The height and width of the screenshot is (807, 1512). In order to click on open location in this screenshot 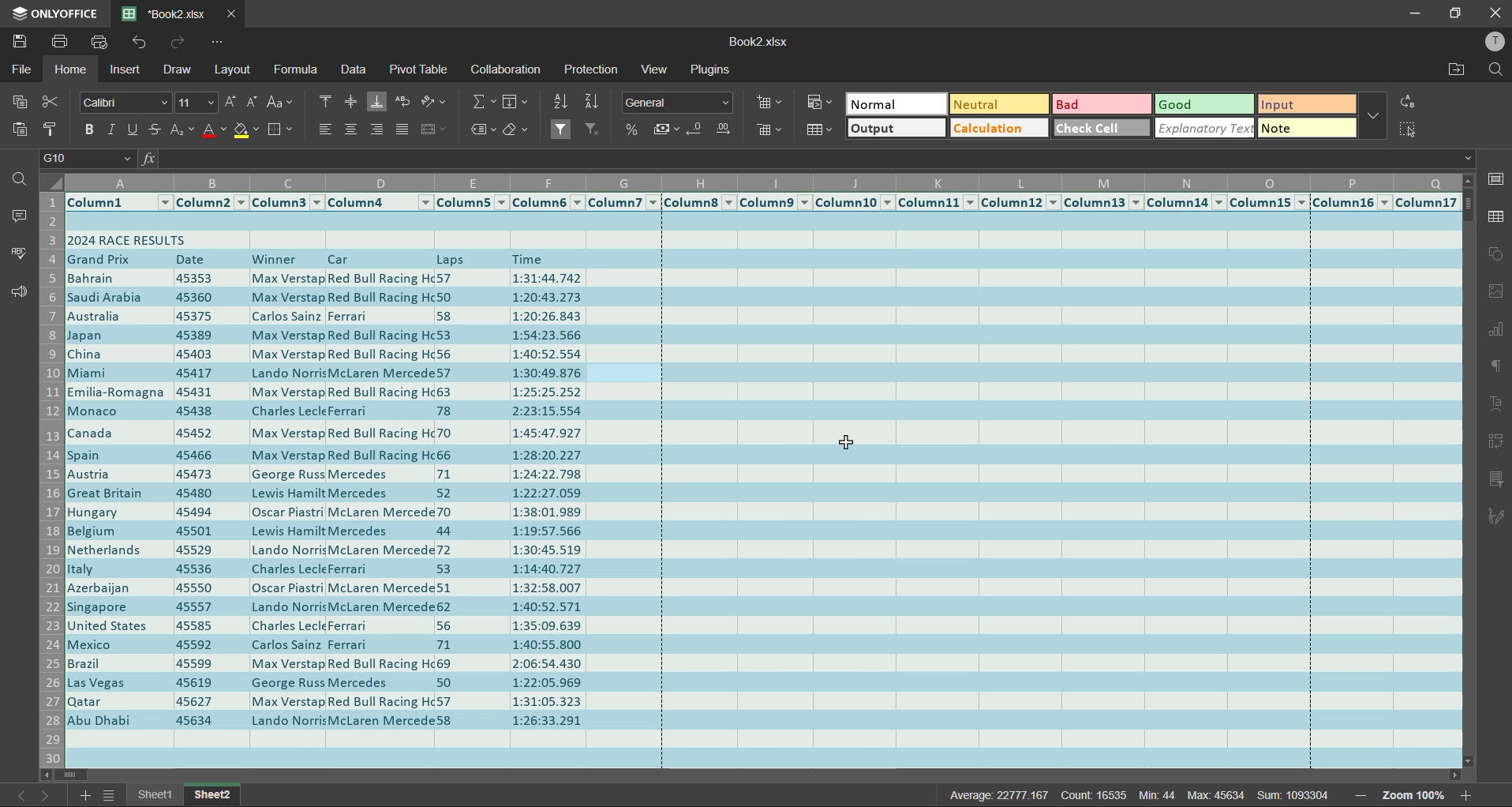, I will do `click(1460, 73)`.